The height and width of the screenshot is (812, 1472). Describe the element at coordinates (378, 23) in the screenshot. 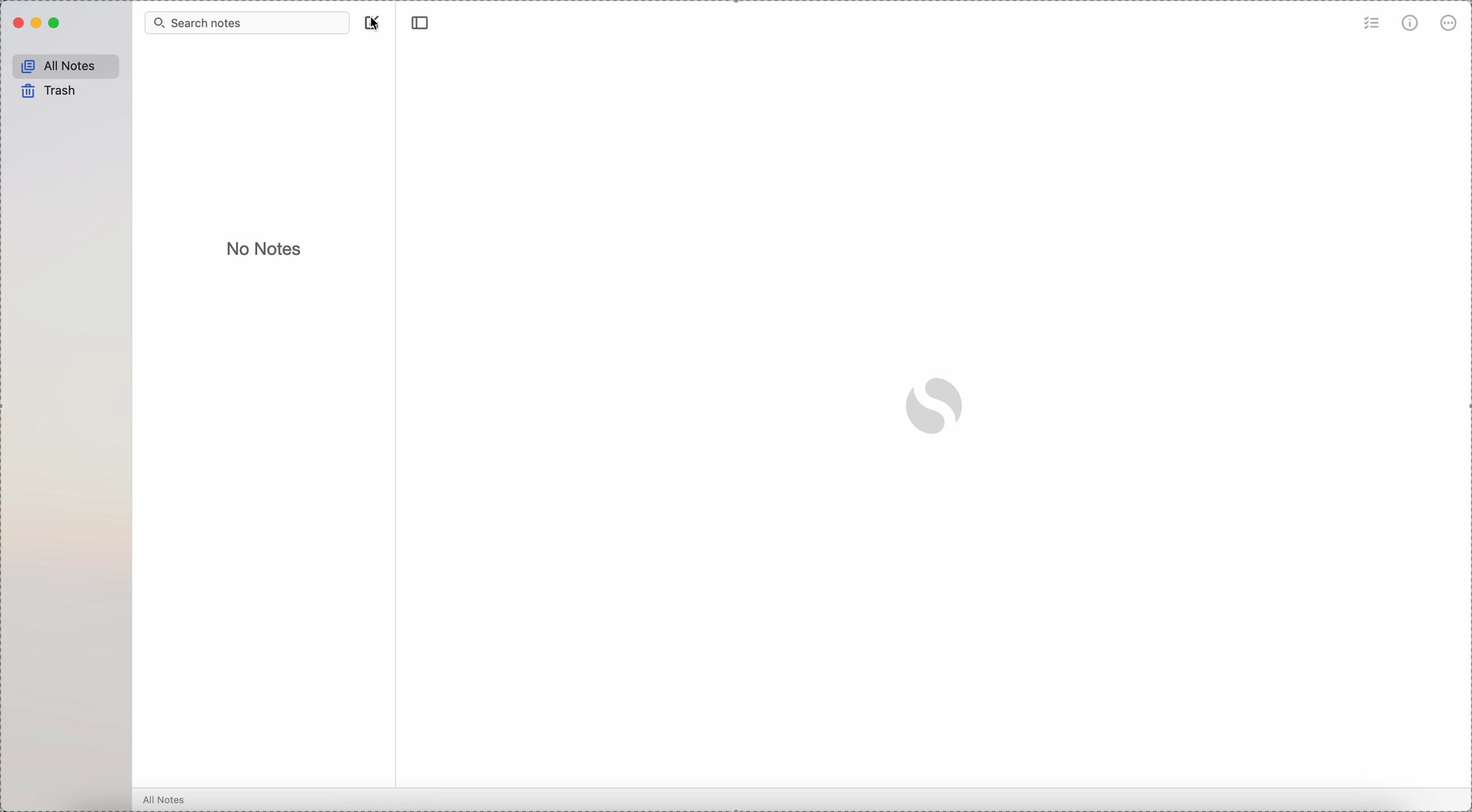

I see `cursor` at that location.